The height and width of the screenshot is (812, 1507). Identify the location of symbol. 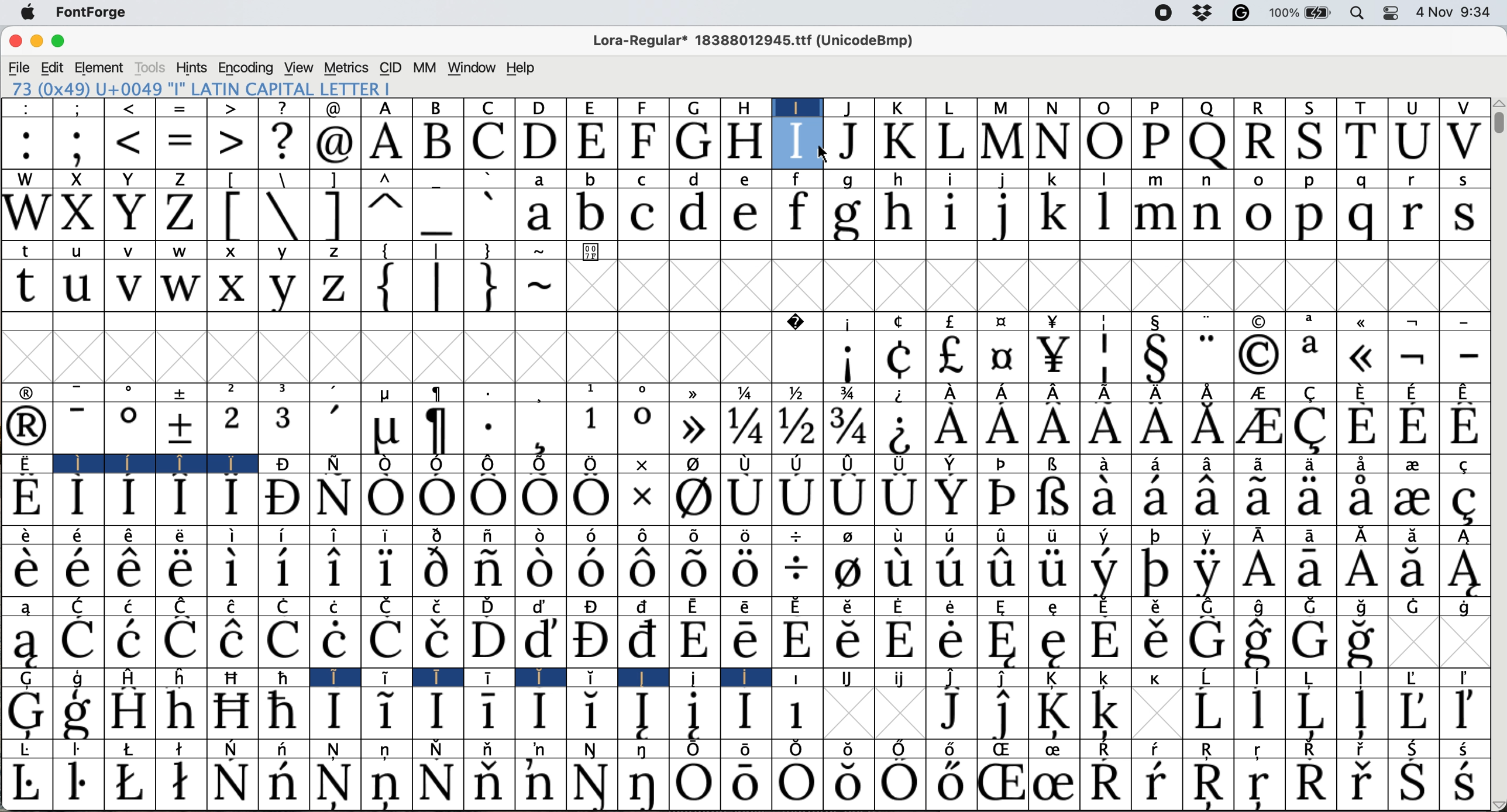
(1000, 464).